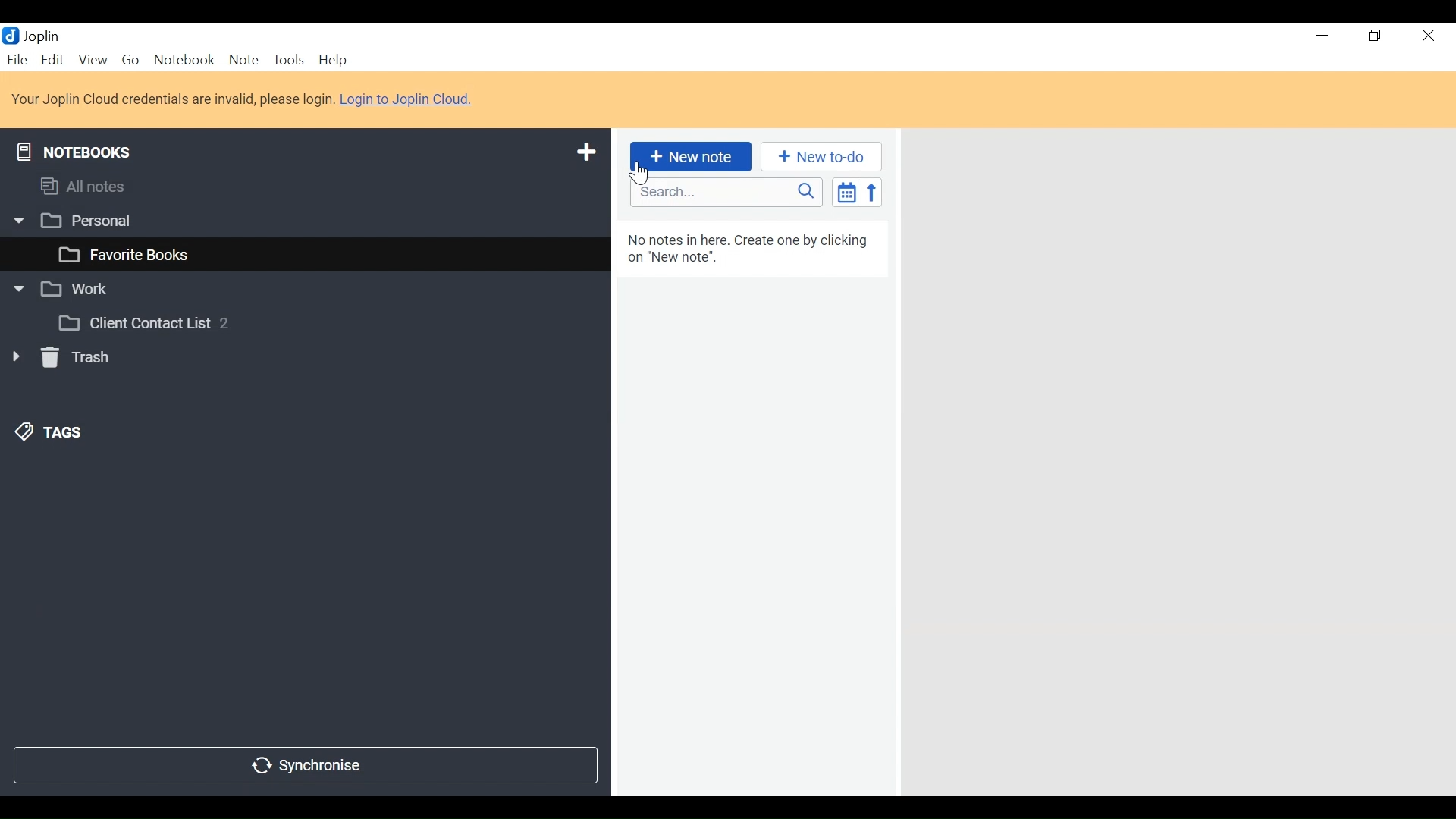  I want to click on favourite books, so click(124, 253).